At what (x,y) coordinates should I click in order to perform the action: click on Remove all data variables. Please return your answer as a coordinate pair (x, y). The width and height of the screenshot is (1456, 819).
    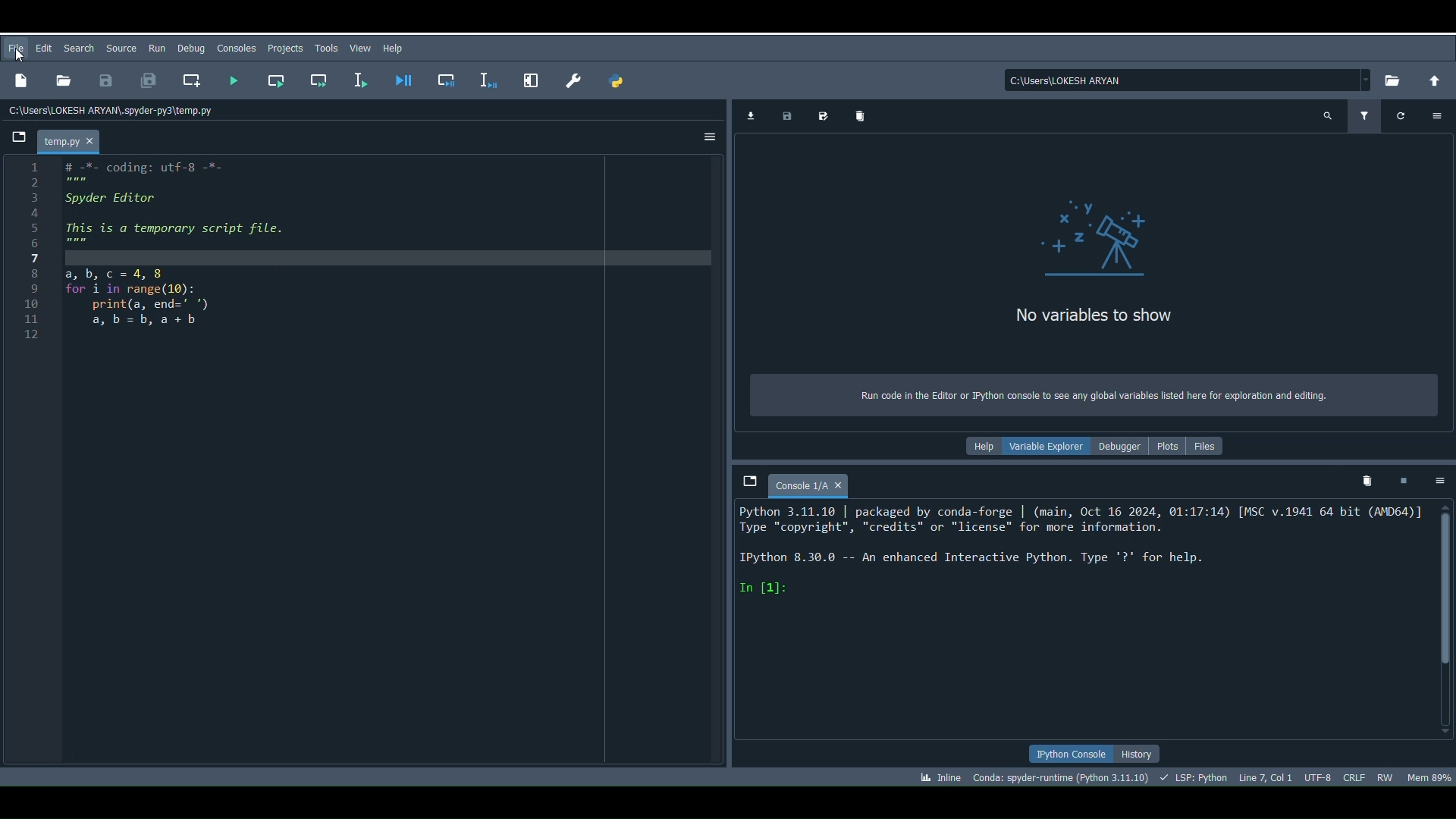
    Looking at the image, I should click on (855, 113).